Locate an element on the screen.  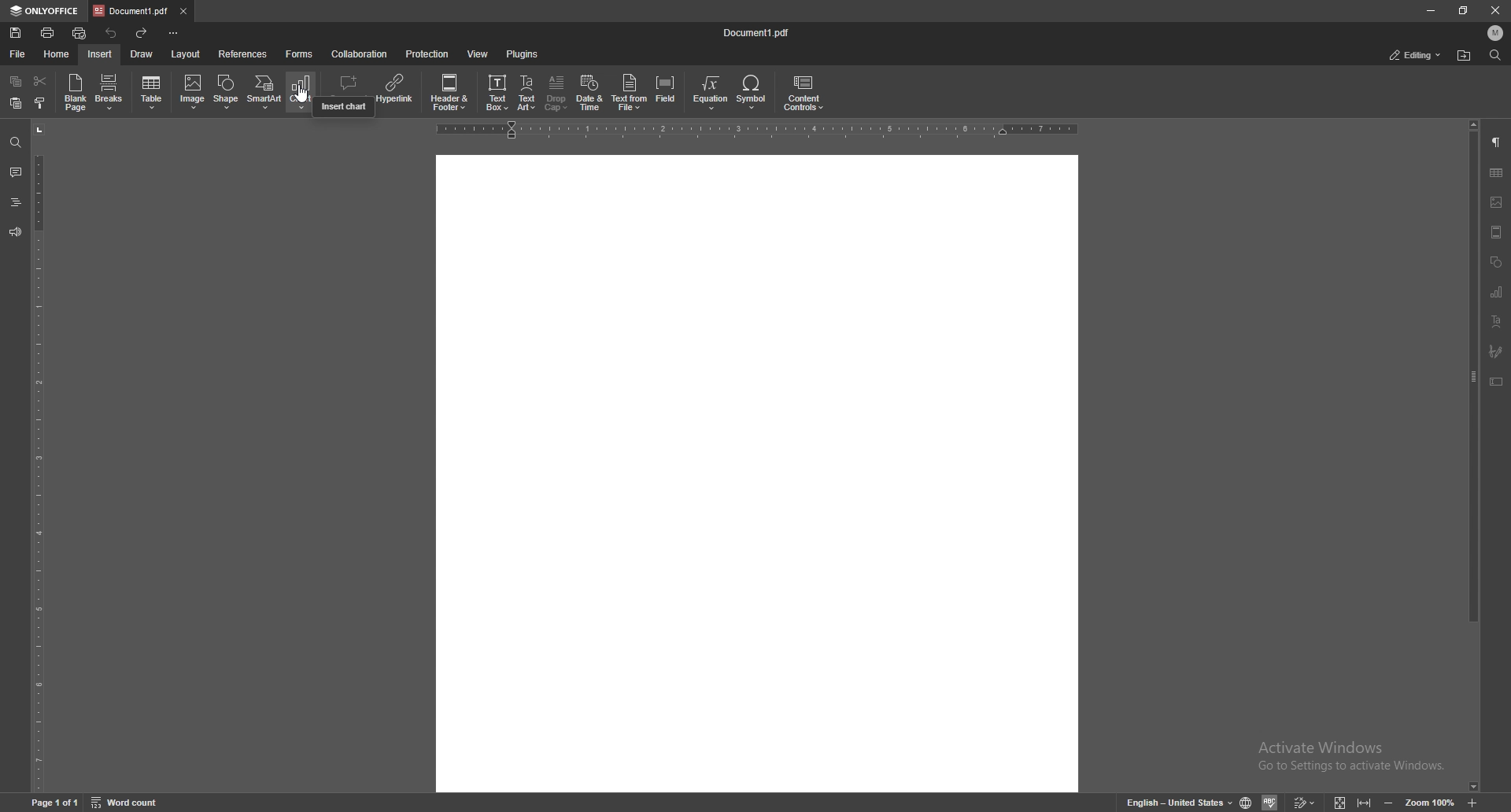
shapes is located at coordinates (1497, 262).